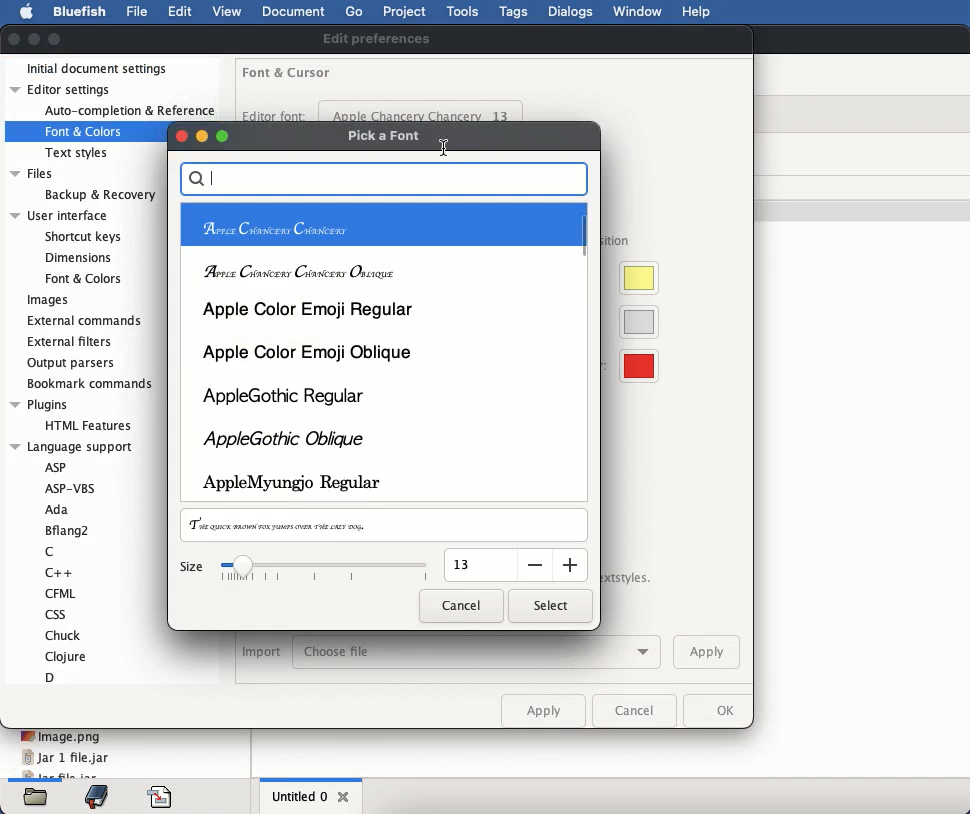 Image resolution: width=970 pixels, height=814 pixels. I want to click on cancel, so click(632, 710).